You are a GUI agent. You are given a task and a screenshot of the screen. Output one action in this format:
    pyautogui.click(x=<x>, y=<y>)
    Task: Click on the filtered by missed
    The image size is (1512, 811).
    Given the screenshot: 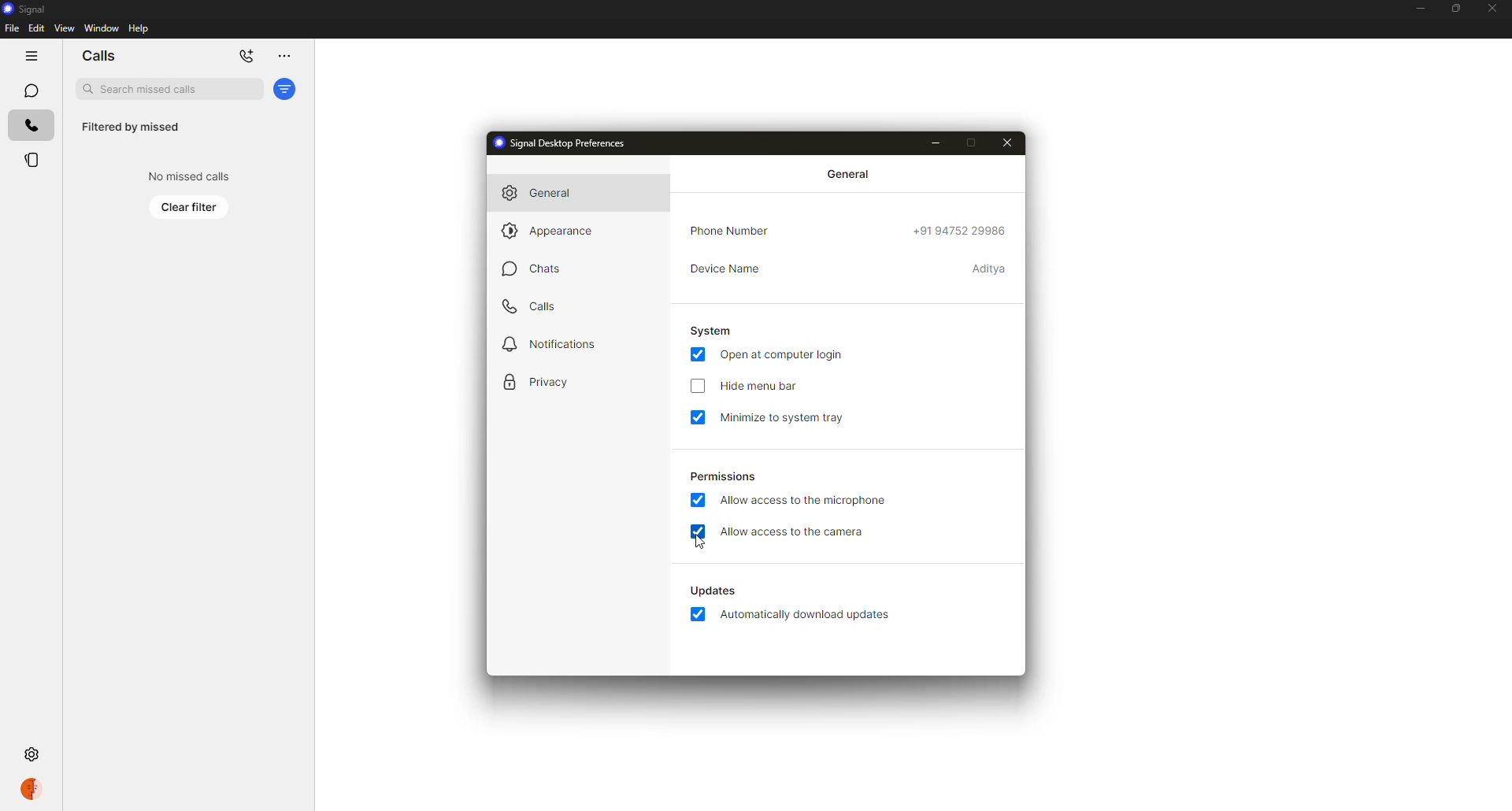 What is the action you would take?
    pyautogui.click(x=131, y=128)
    